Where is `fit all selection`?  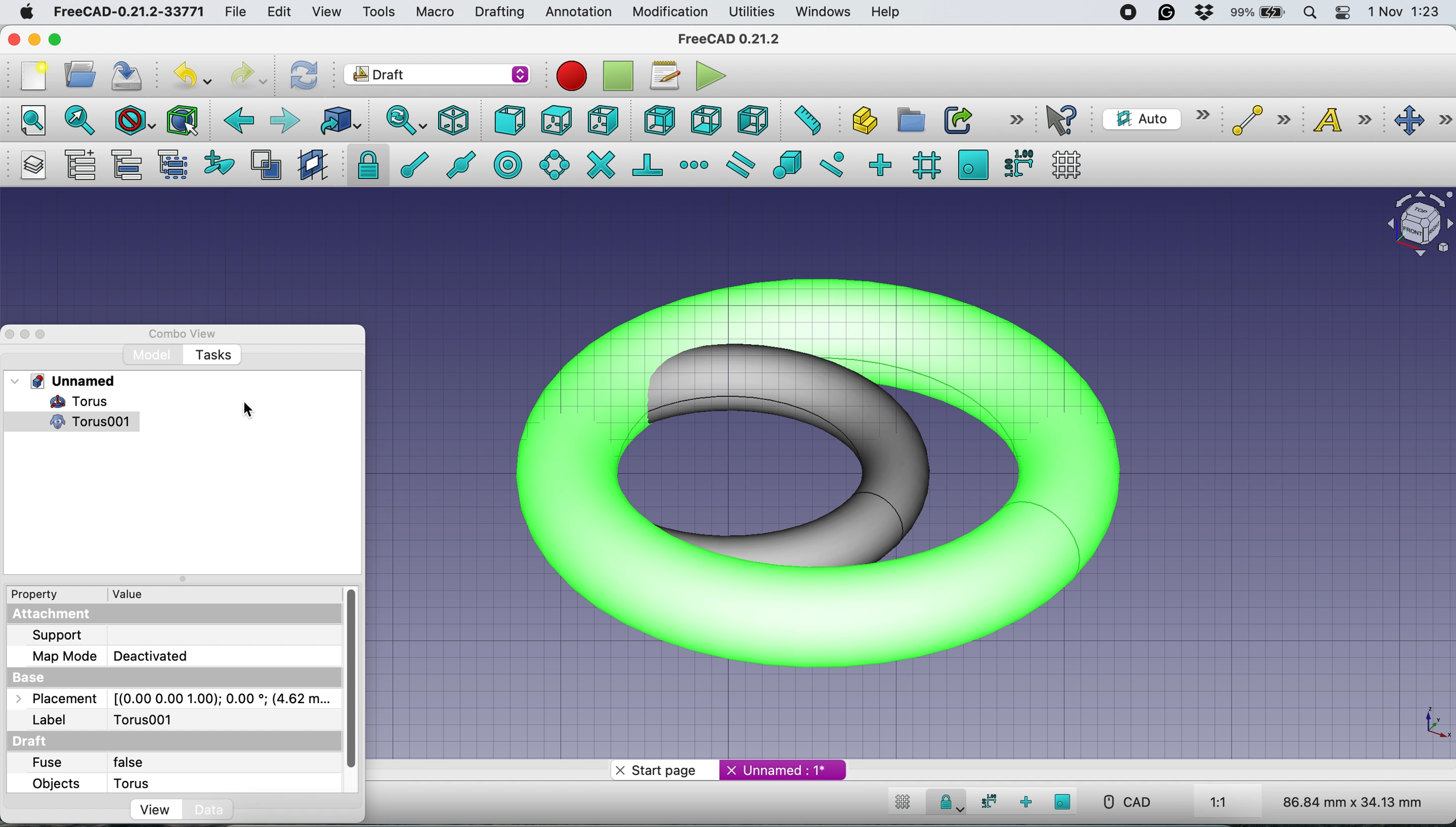 fit all selection is located at coordinates (77, 122).